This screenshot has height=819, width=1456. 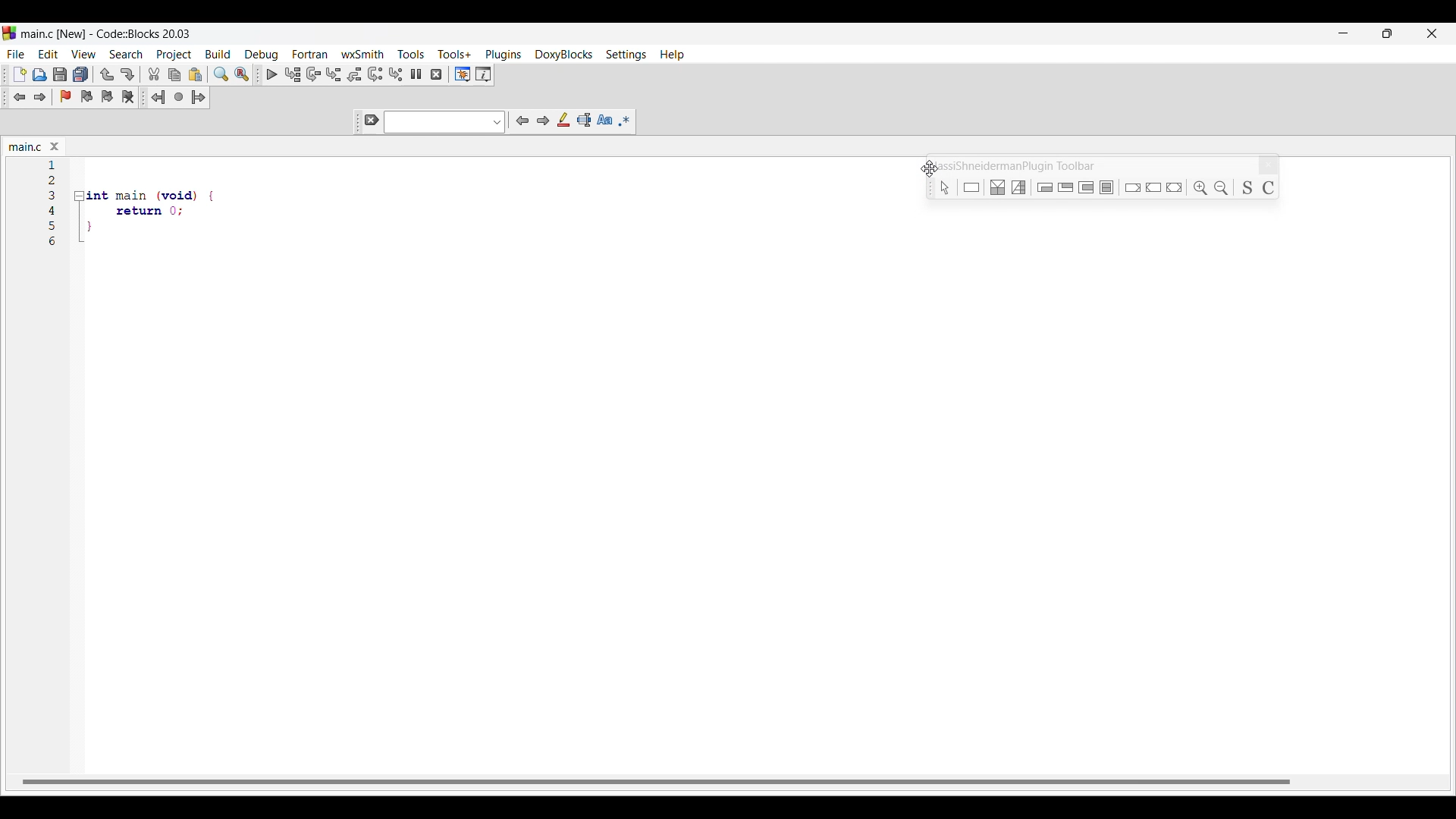 What do you see at coordinates (1344, 33) in the screenshot?
I see `Minimize` at bounding box center [1344, 33].